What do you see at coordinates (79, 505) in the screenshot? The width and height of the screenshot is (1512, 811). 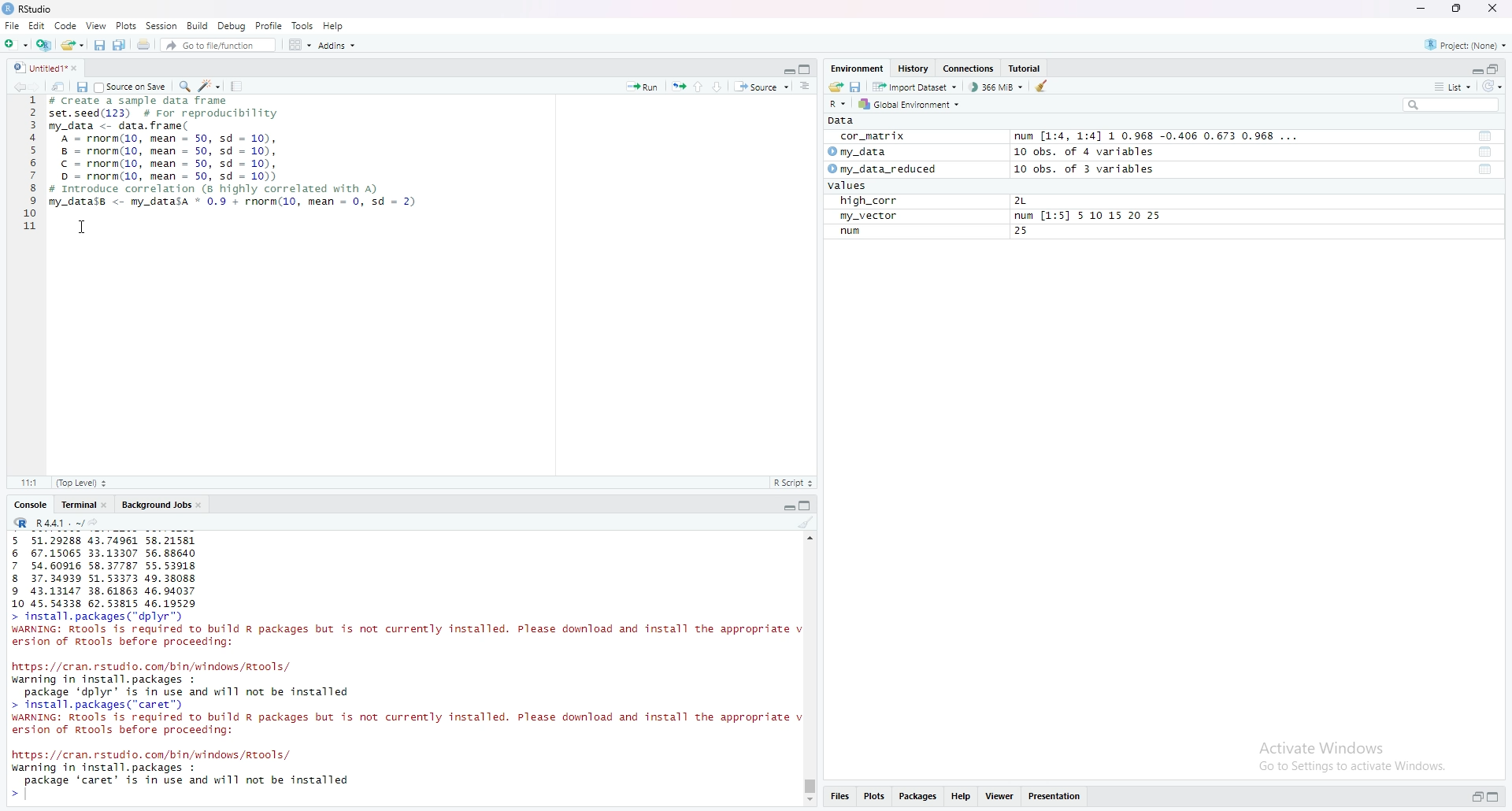 I see `Terminal` at bounding box center [79, 505].